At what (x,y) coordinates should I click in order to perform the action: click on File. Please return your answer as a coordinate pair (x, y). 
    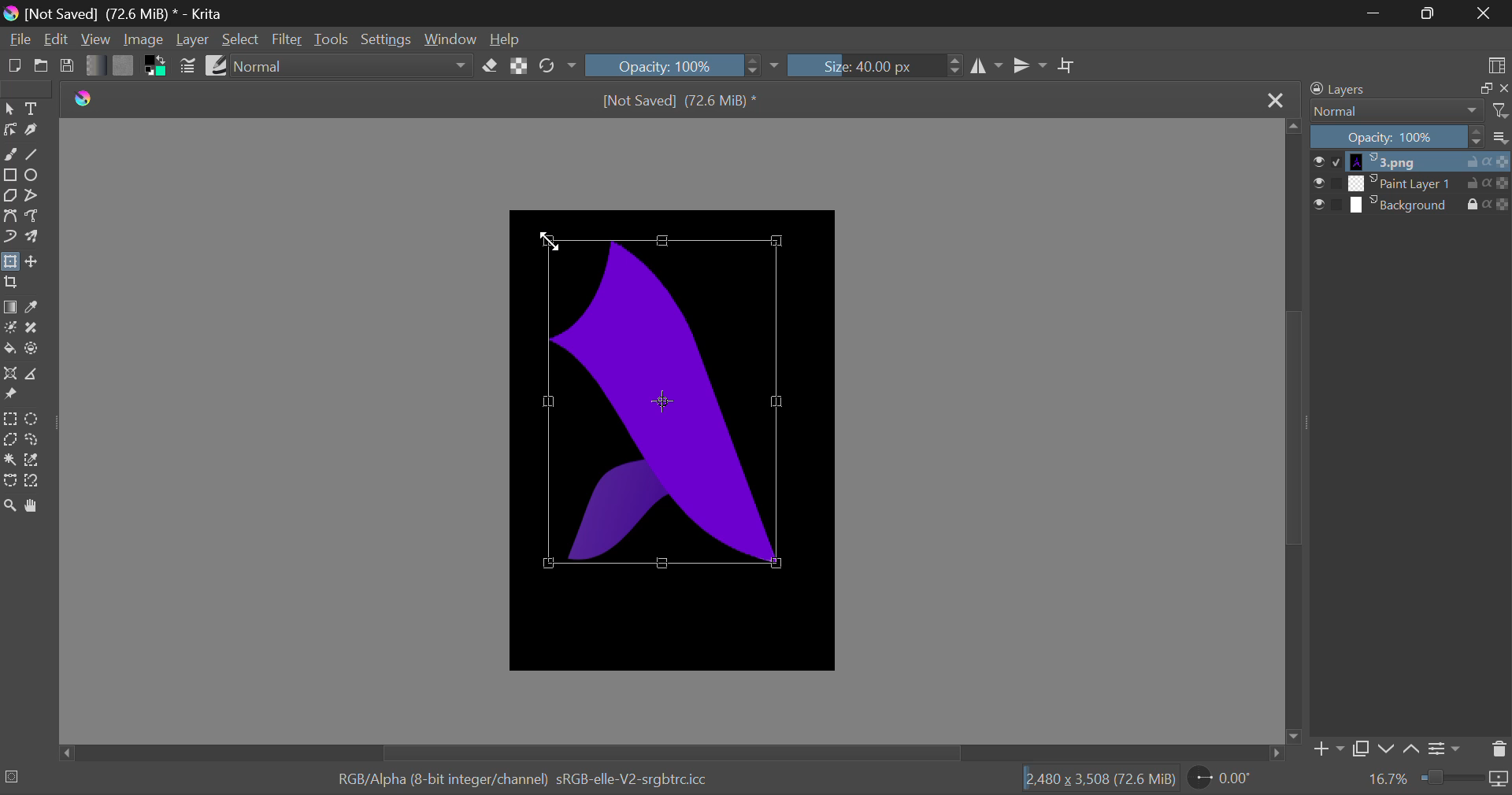
    Looking at the image, I should click on (19, 39).